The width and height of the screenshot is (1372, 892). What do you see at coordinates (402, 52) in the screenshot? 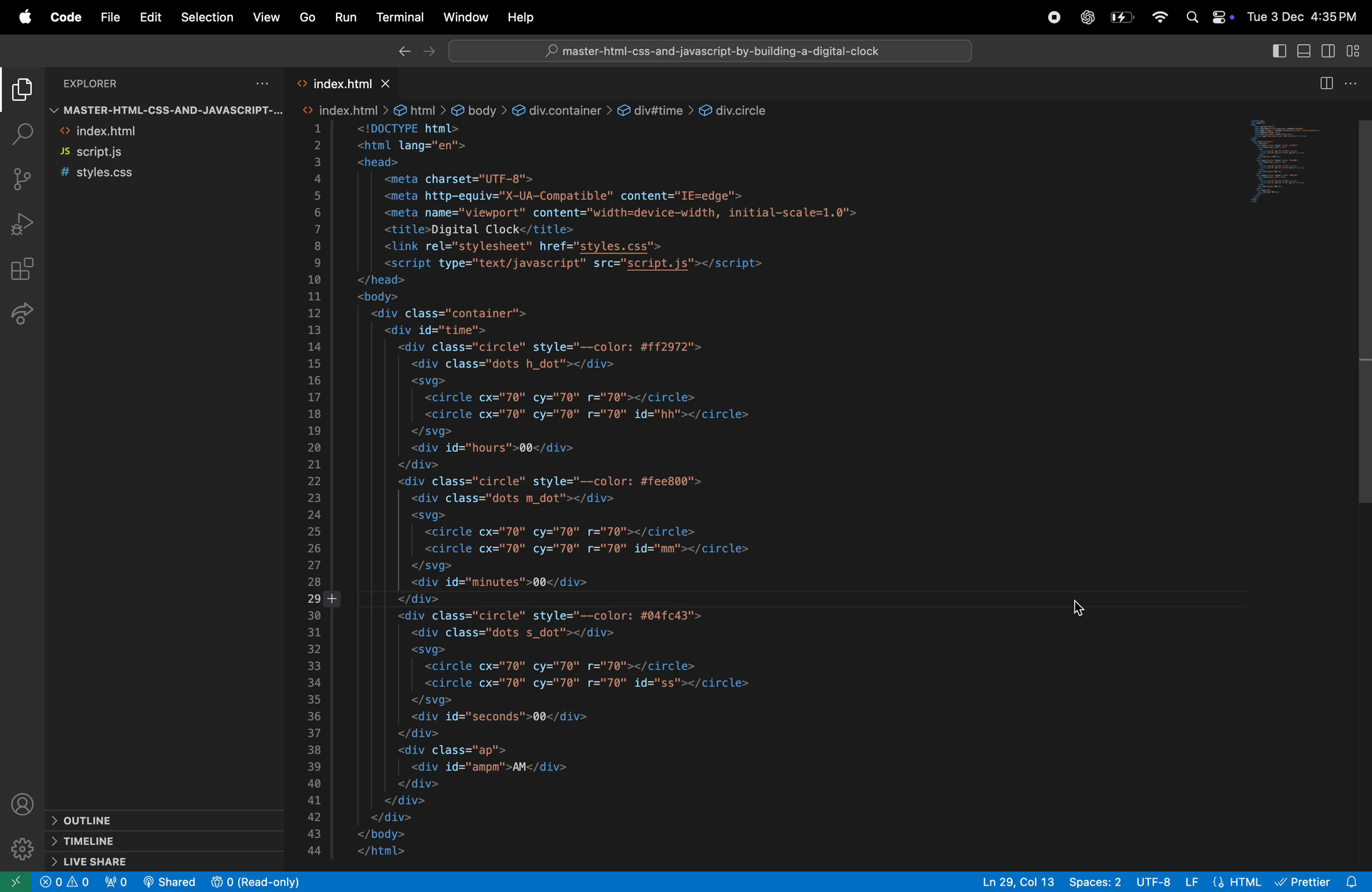
I see `backward` at bounding box center [402, 52].